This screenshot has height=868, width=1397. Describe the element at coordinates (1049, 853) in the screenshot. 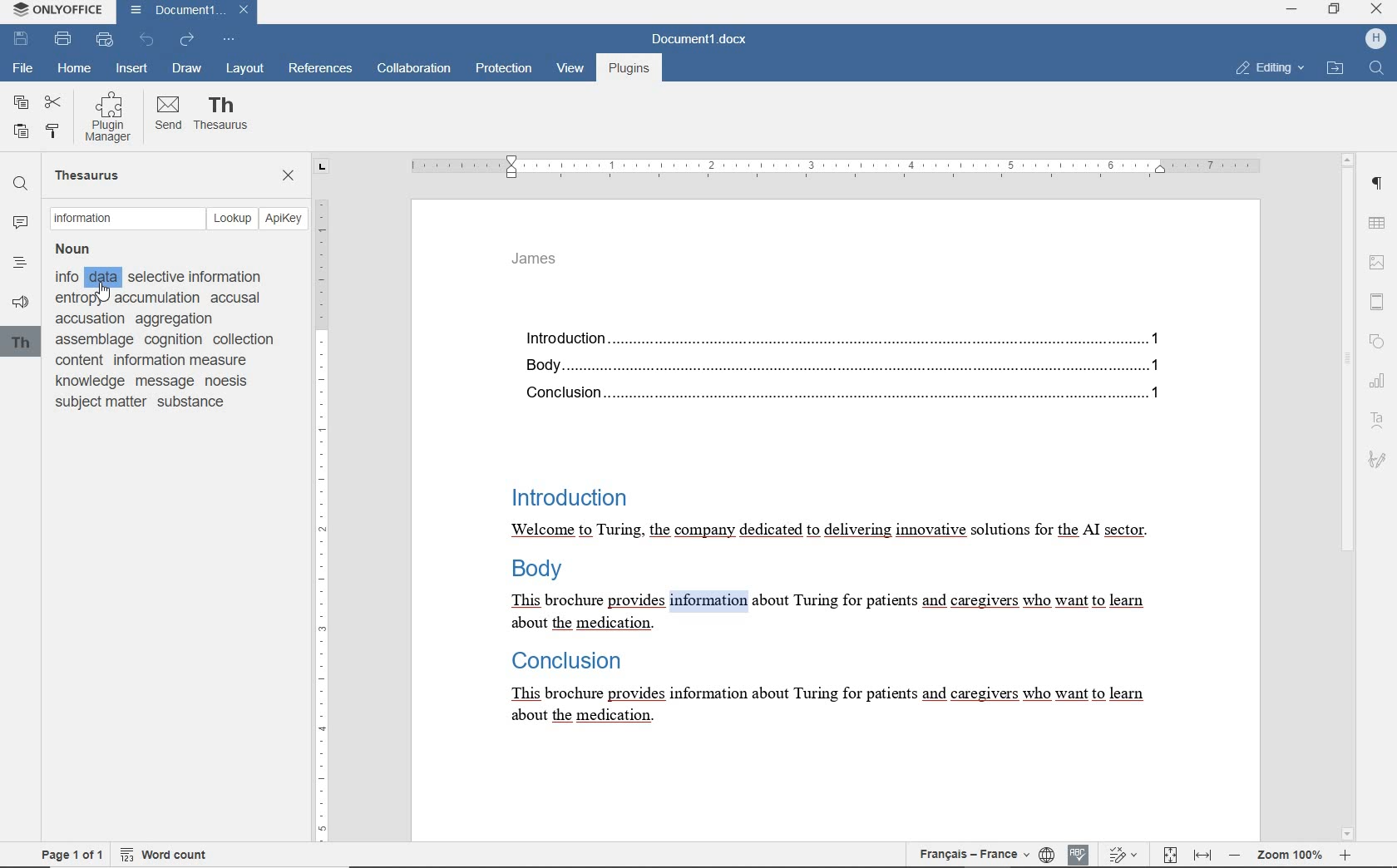

I see `SET DOCUMENT LANGUAGE` at that location.